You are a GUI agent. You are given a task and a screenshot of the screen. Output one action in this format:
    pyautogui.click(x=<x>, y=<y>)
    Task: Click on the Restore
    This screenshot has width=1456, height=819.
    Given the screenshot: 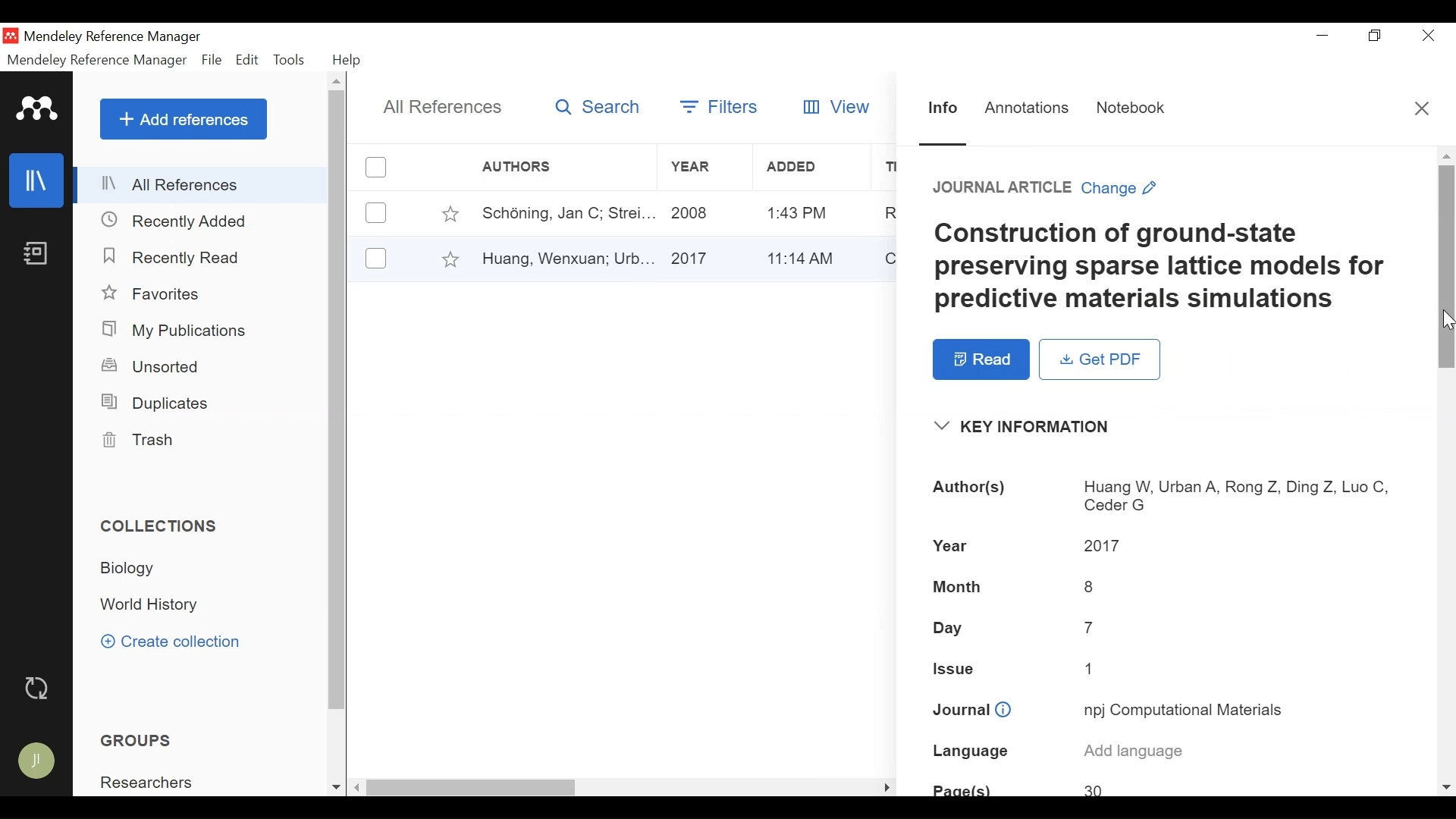 What is the action you would take?
    pyautogui.click(x=1377, y=36)
    